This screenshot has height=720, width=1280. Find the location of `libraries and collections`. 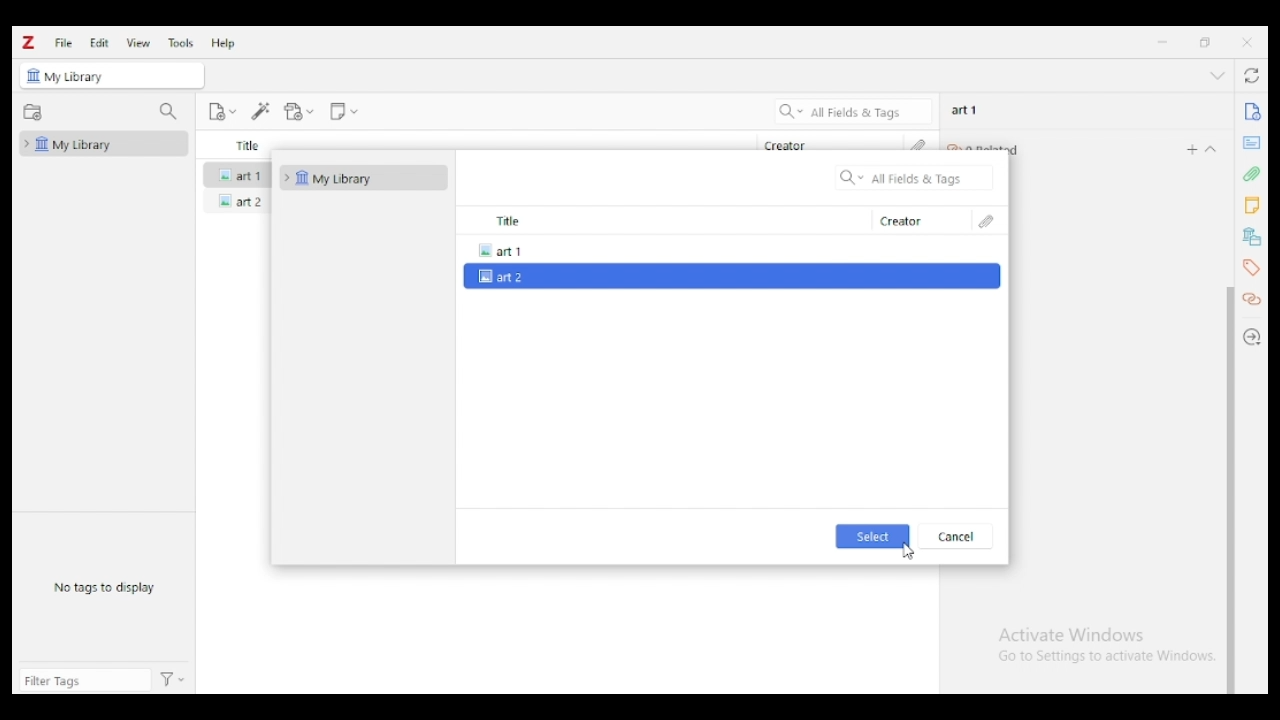

libraries and collections is located at coordinates (1250, 237).